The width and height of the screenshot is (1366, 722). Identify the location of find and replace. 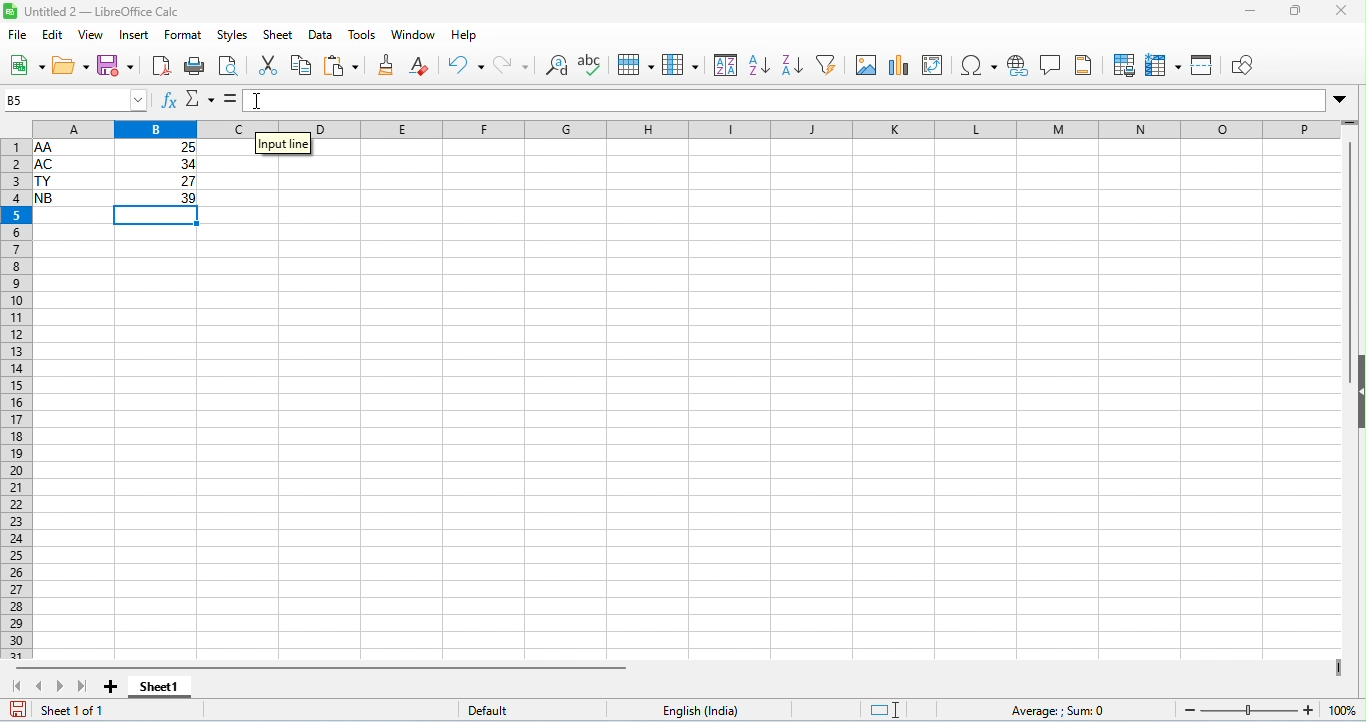
(560, 65).